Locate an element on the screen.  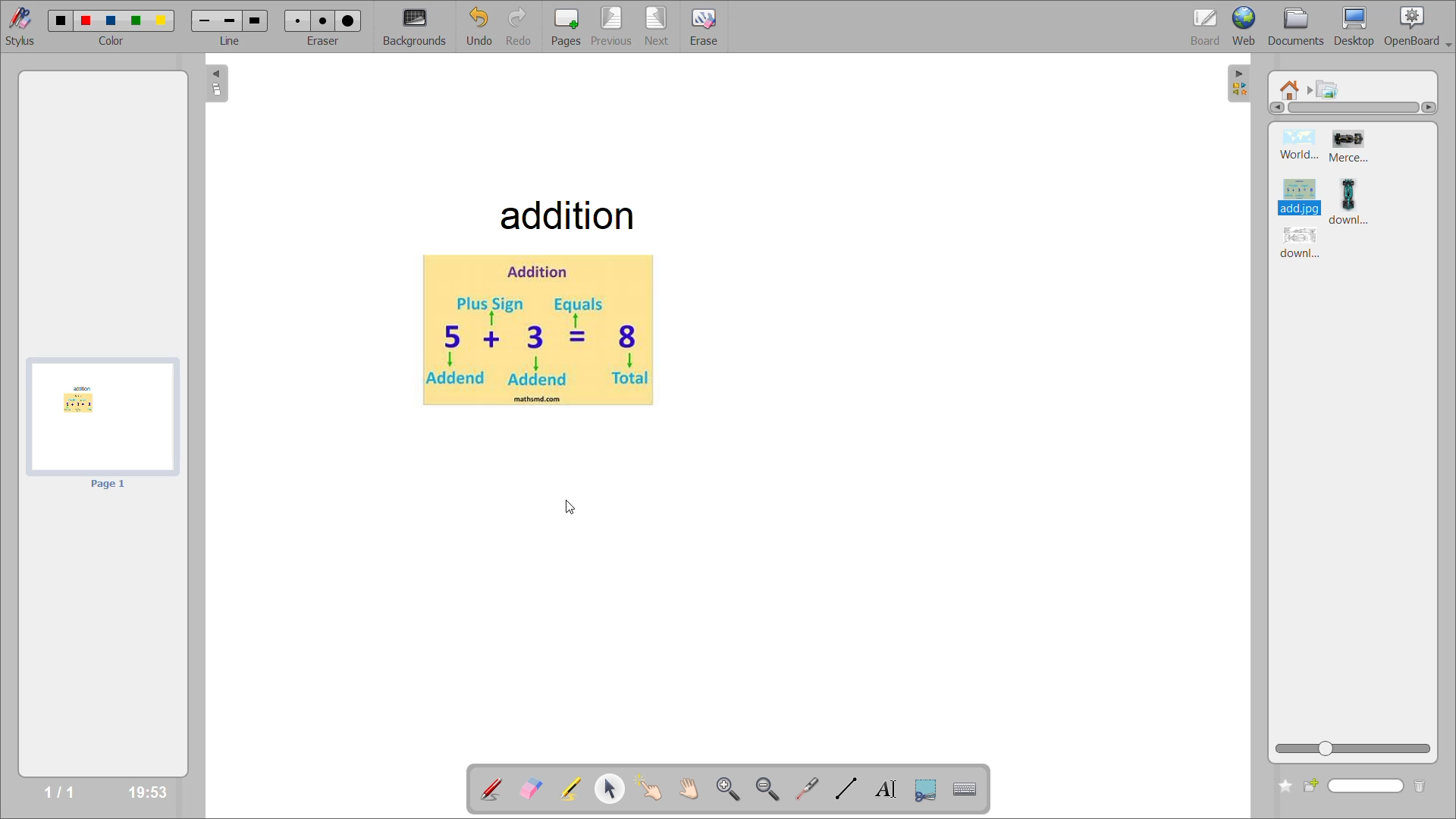
documents is located at coordinates (1302, 27).